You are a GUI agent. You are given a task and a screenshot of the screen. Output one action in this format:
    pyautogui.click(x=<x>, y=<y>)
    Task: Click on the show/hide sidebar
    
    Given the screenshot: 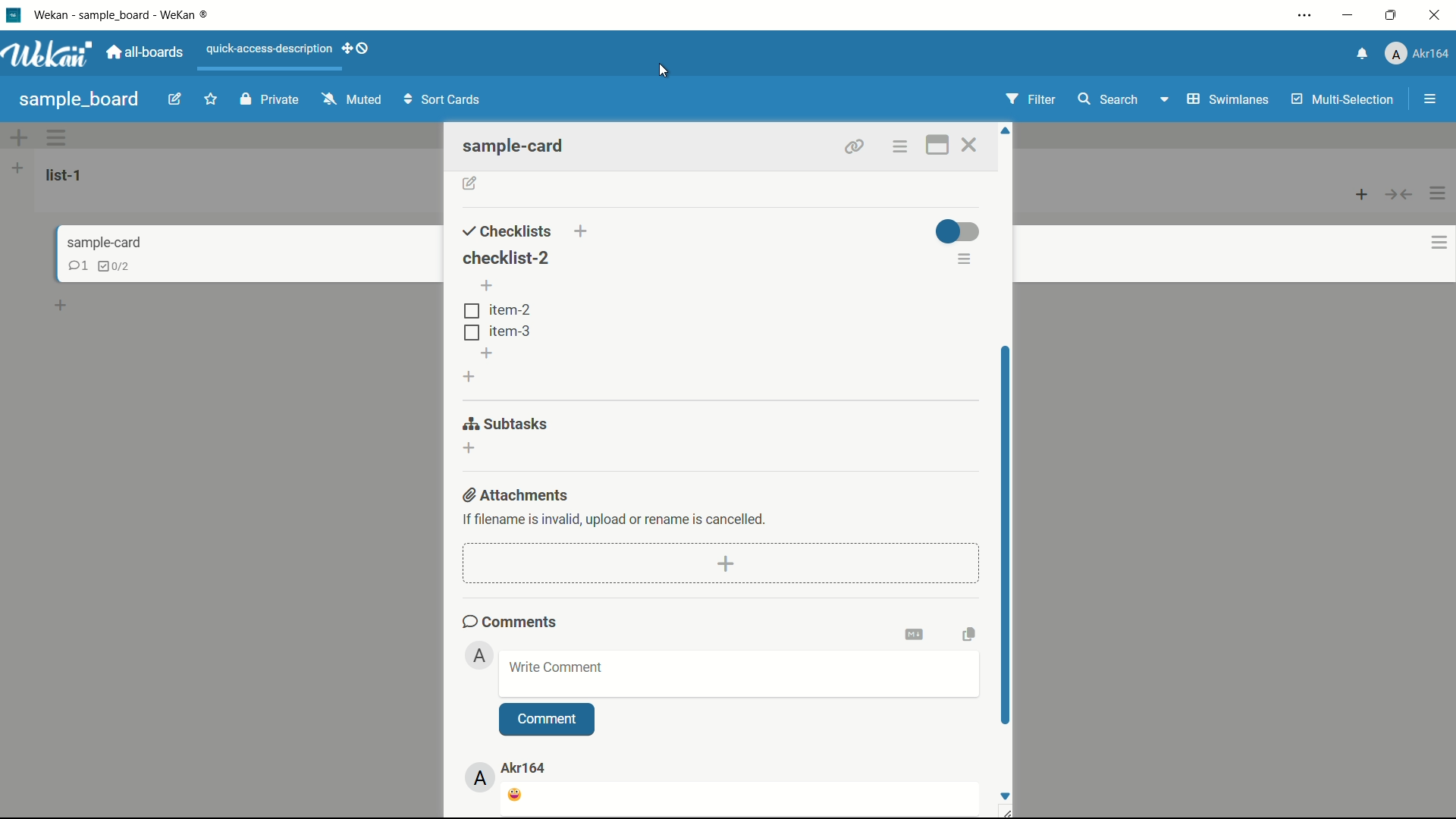 What is the action you would take?
    pyautogui.click(x=1429, y=99)
    